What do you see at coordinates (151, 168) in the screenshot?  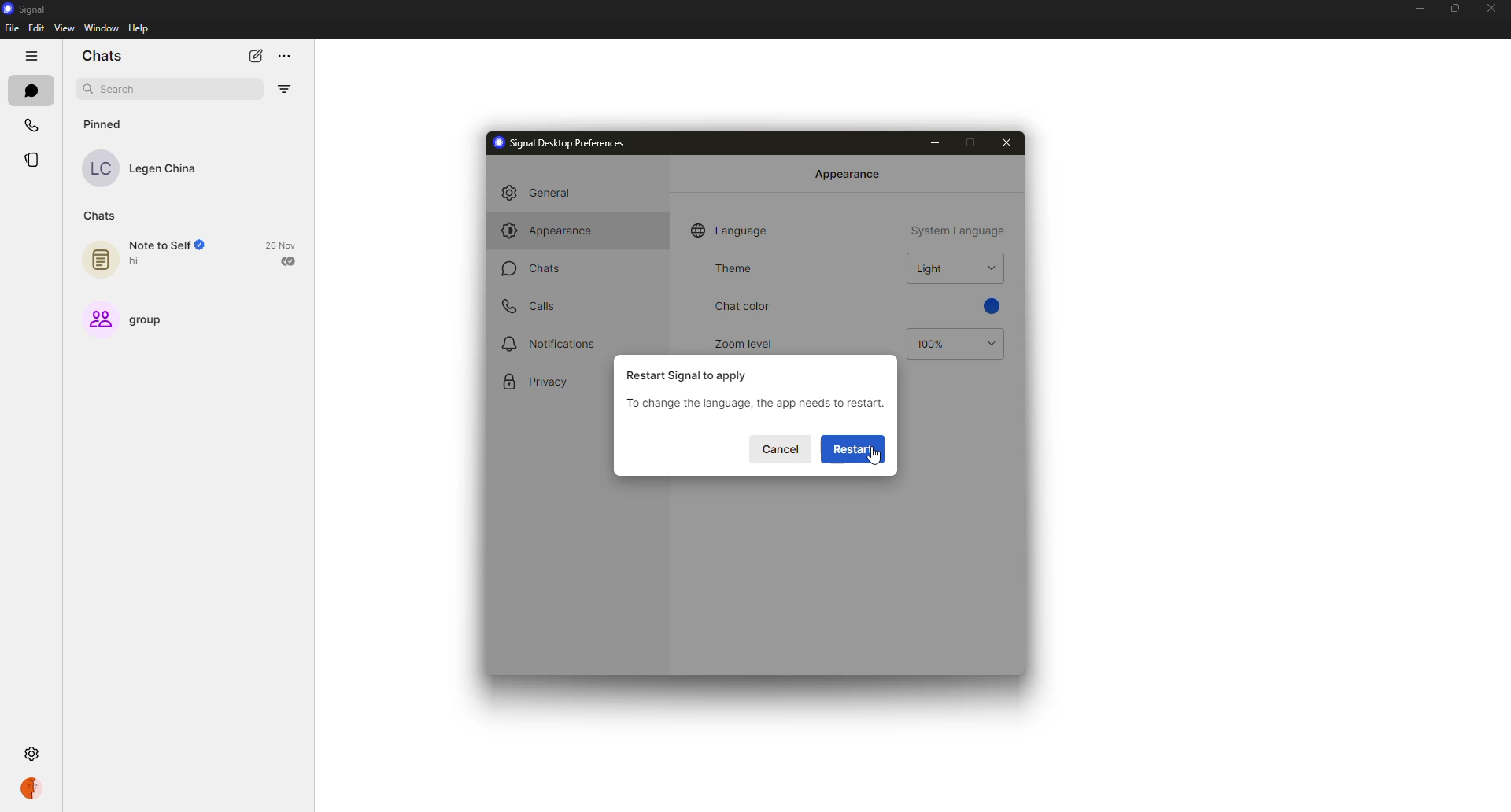 I see `contact` at bounding box center [151, 168].